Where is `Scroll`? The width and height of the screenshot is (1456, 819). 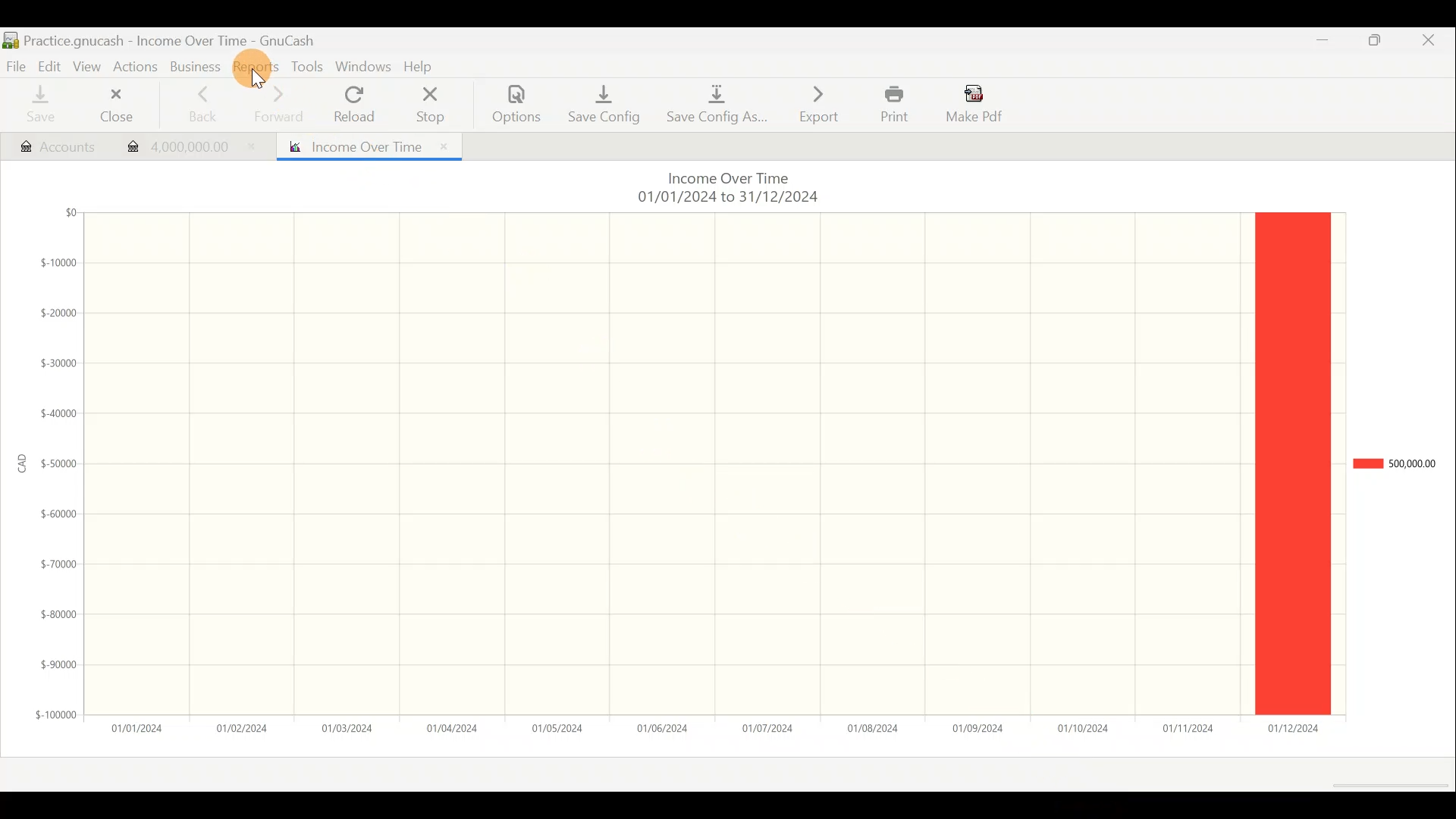 Scroll is located at coordinates (1386, 787).